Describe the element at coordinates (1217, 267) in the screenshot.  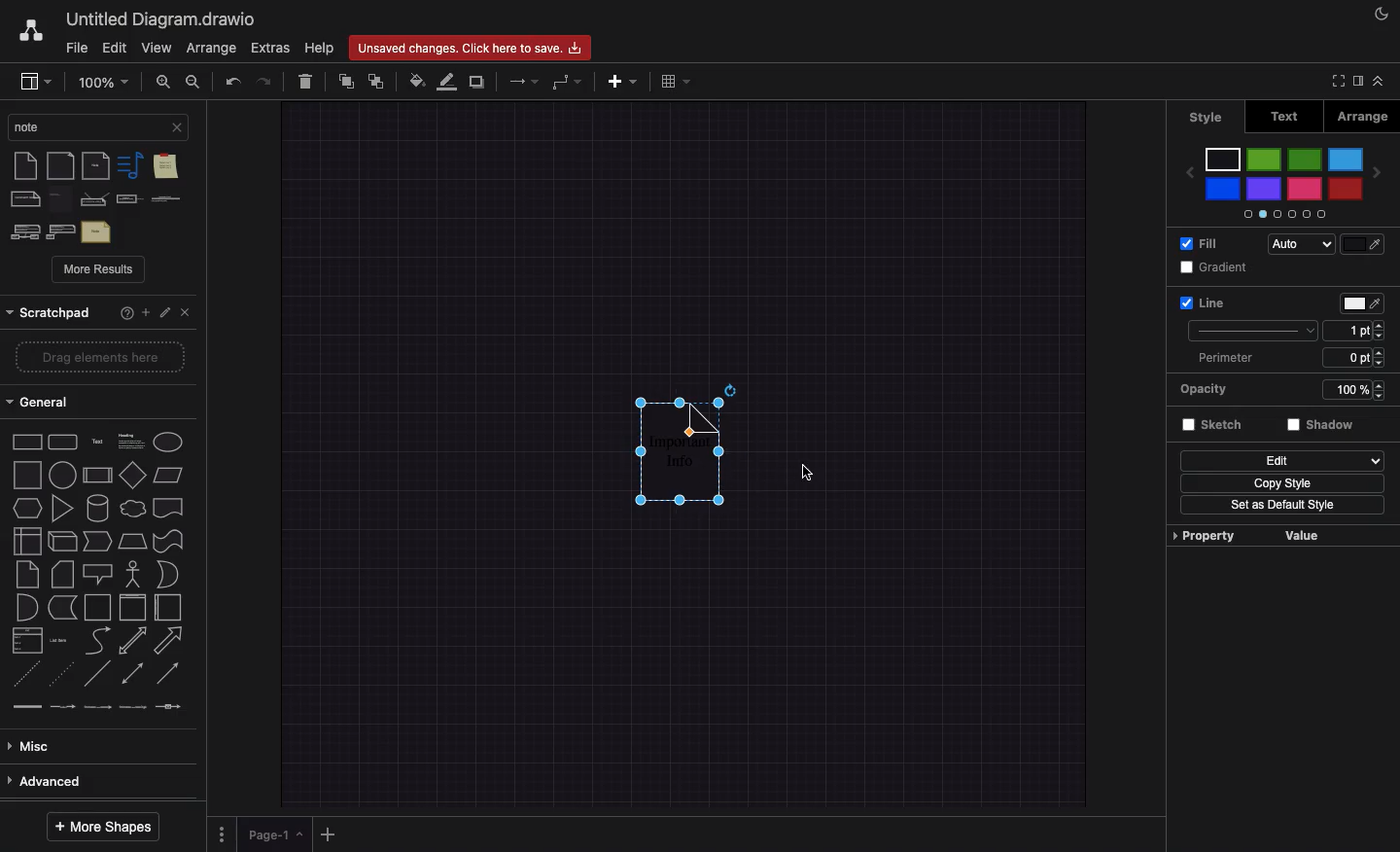
I see `Gradient` at that location.